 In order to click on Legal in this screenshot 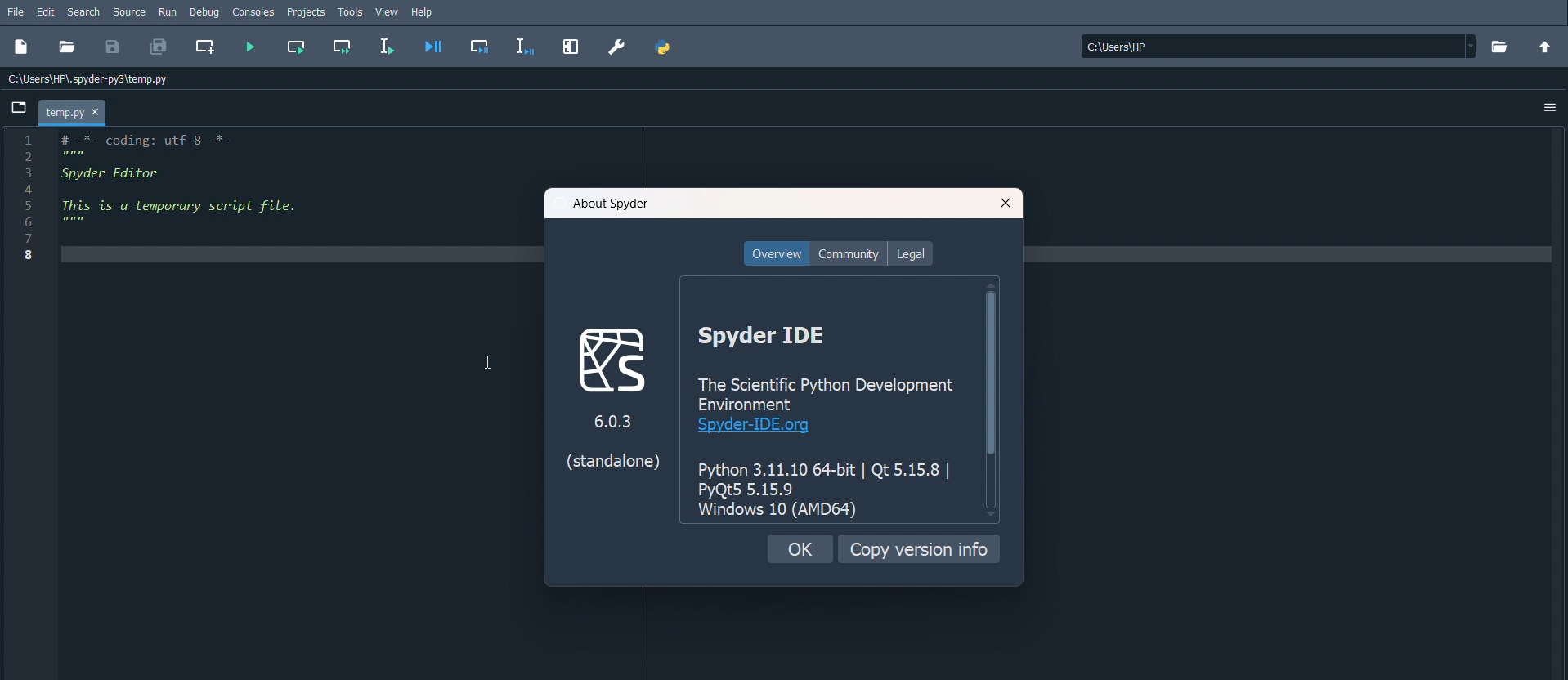, I will do `click(911, 253)`.